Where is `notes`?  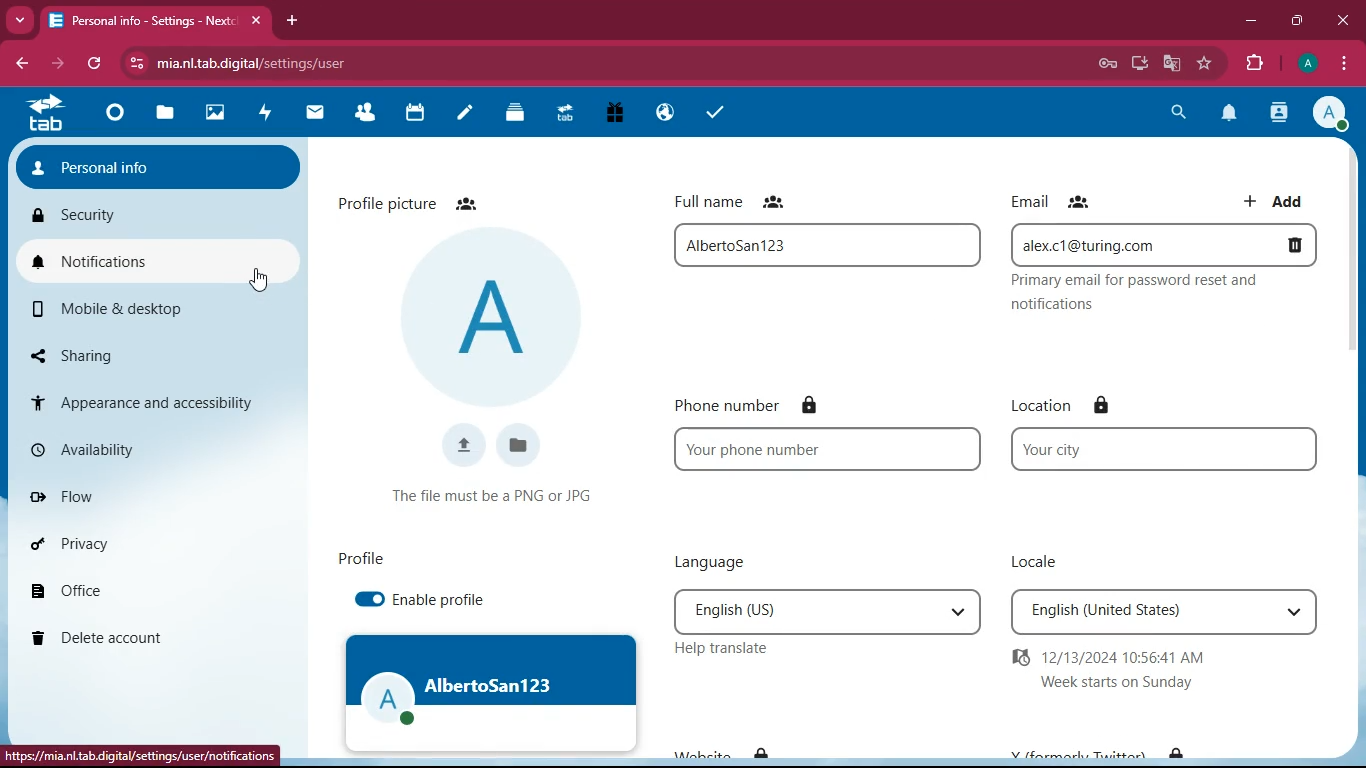
notes is located at coordinates (466, 113).